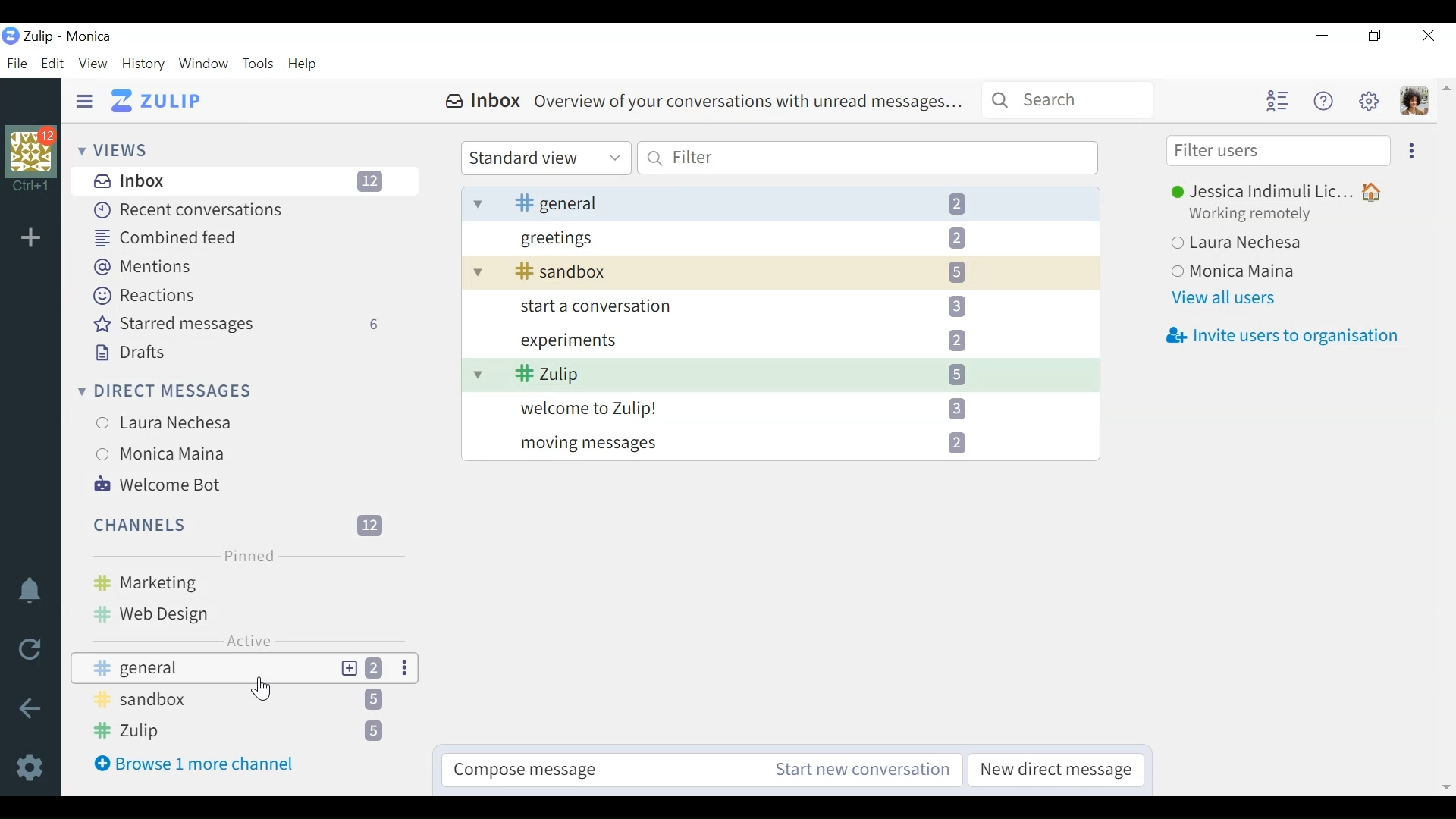 The width and height of the screenshot is (1456, 819). I want to click on Scrollbar, so click(1445, 436).